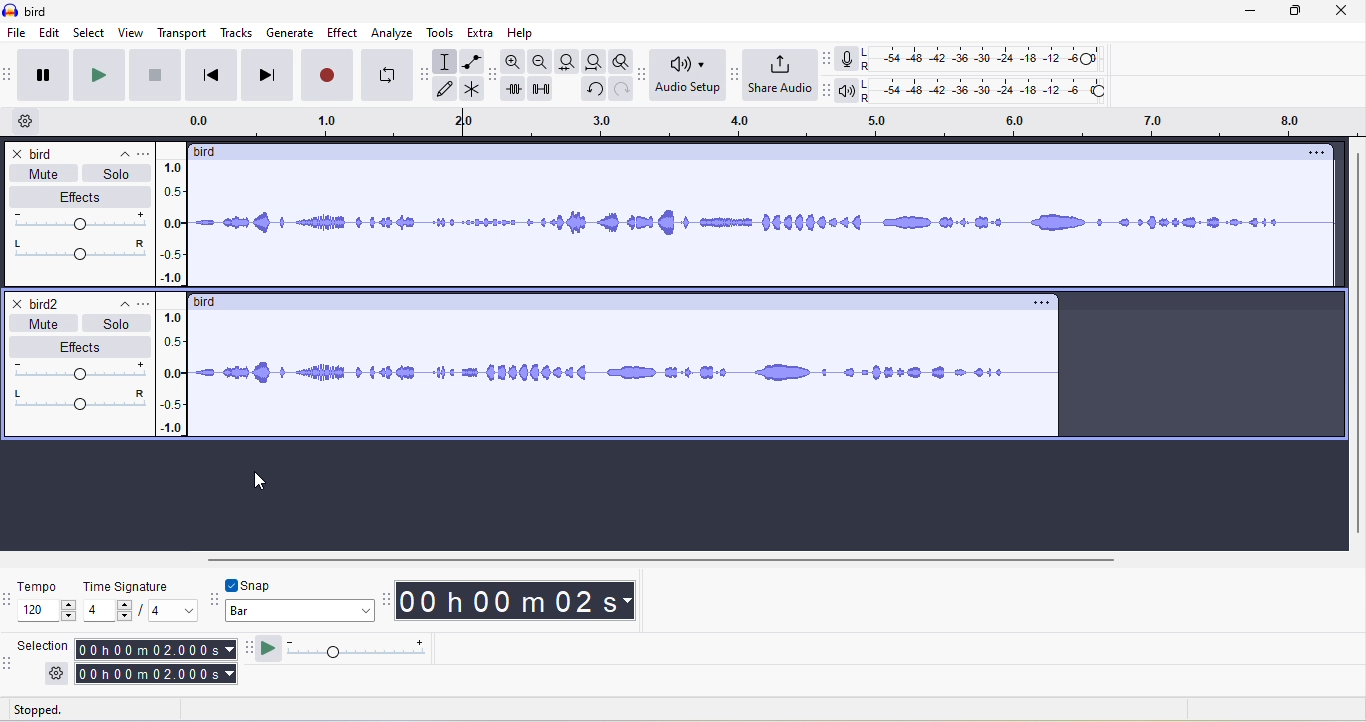 The image size is (1366, 722). What do you see at coordinates (491, 76) in the screenshot?
I see `audacity edit tool` at bounding box center [491, 76].